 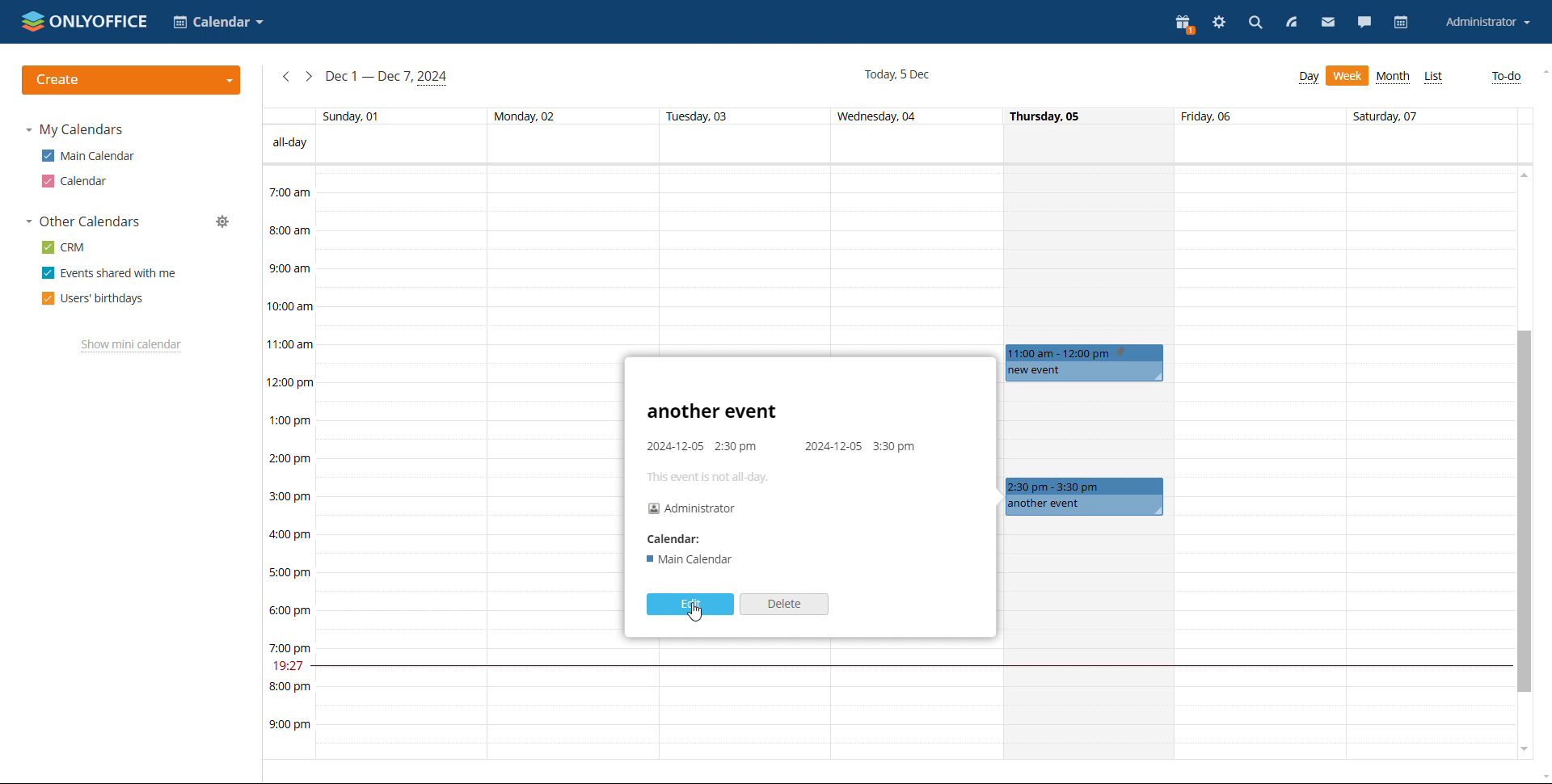 I want to click on 2024-12-05 3:30 pm, so click(x=861, y=446).